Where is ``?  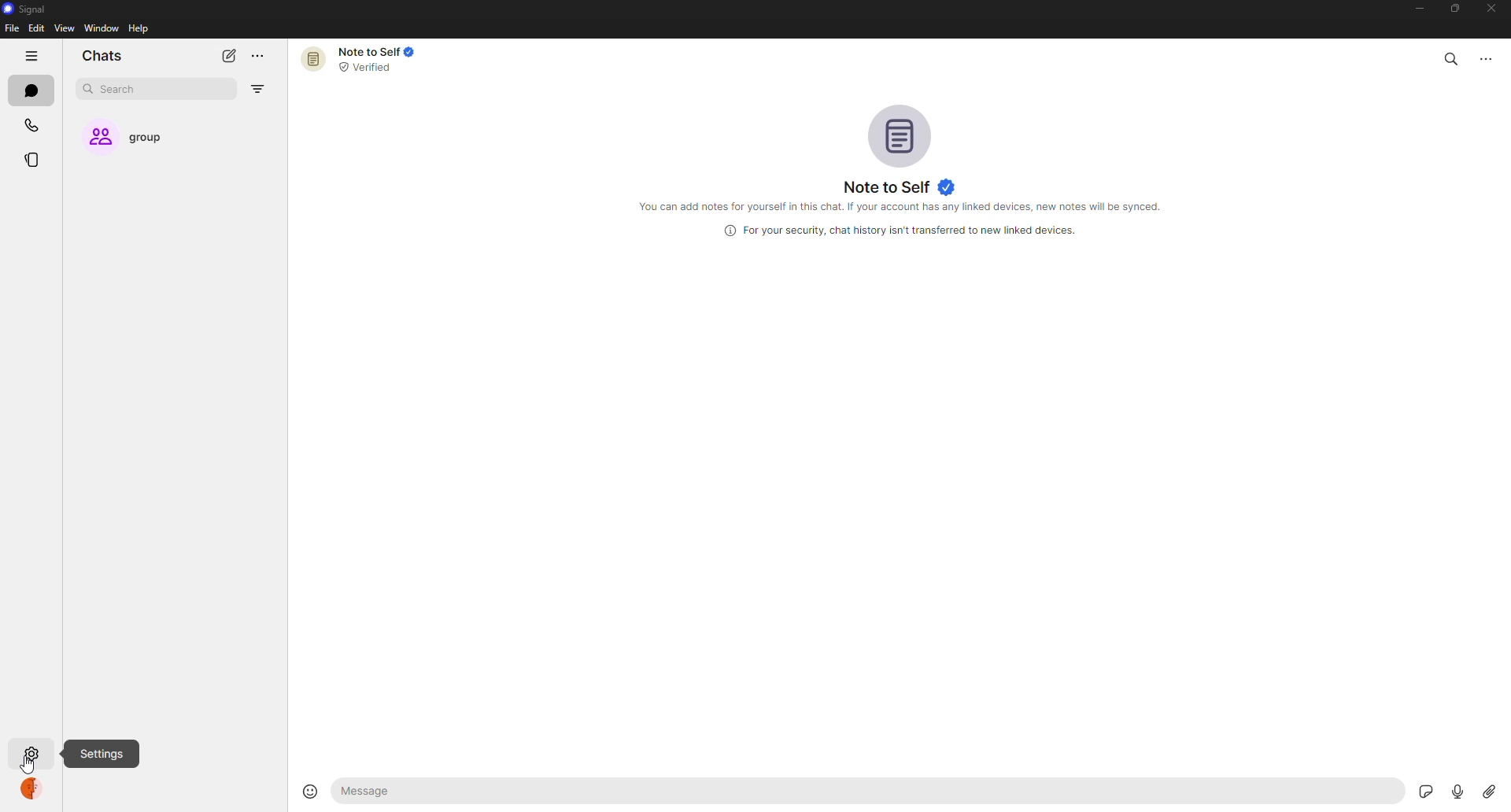
 is located at coordinates (895, 231).